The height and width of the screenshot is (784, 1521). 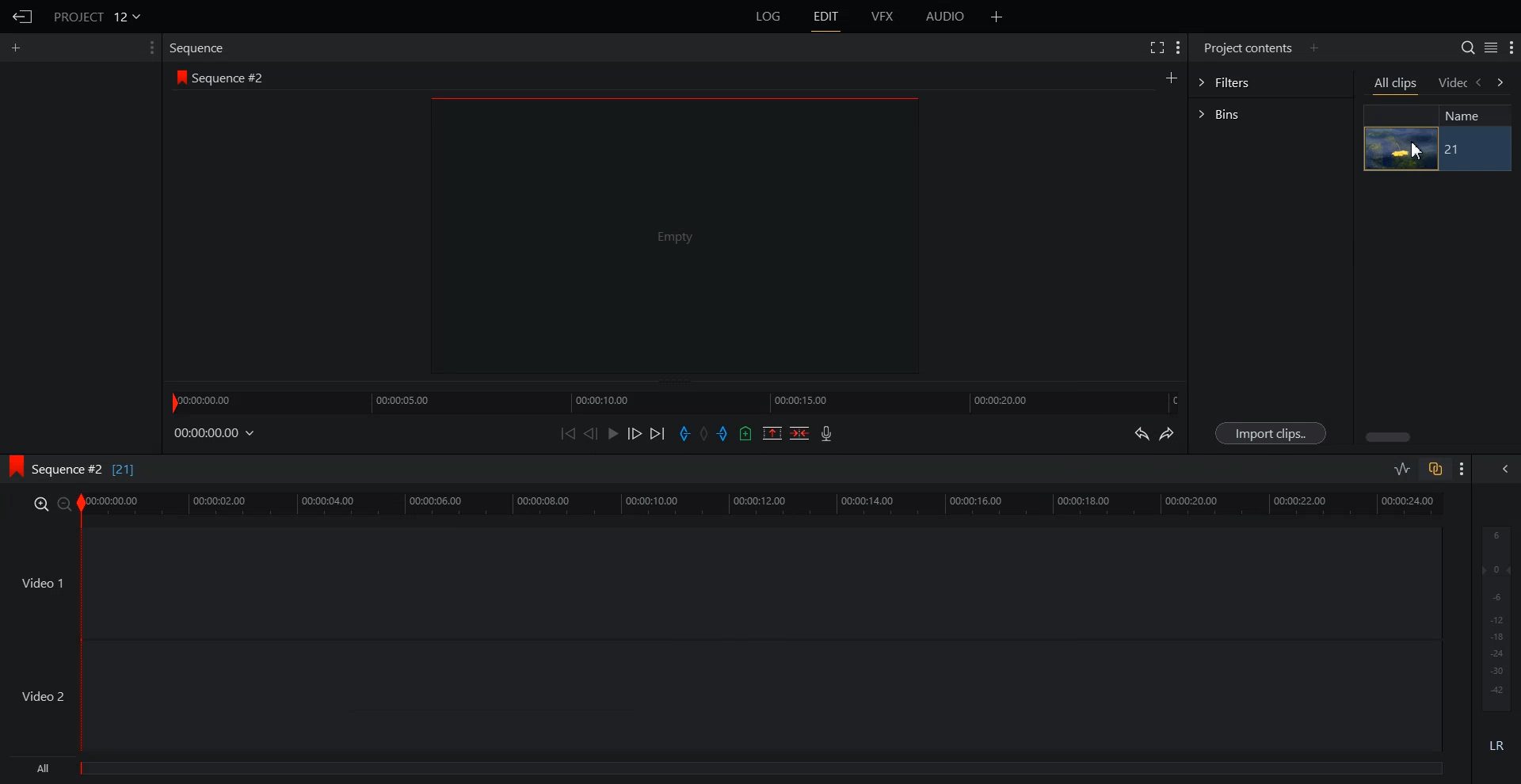 I want to click on Go Back, so click(x=24, y=17).